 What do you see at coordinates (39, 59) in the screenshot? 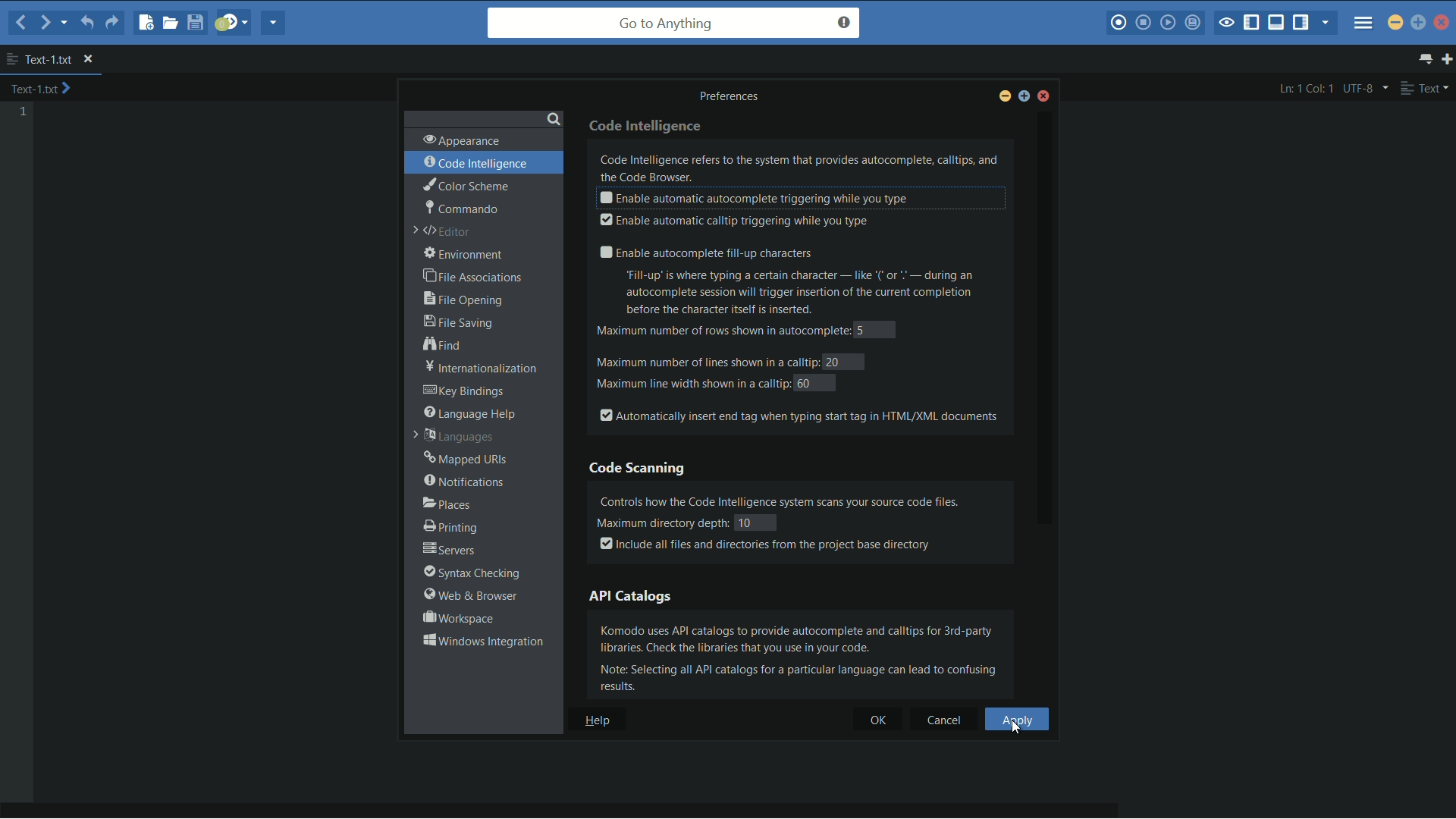
I see `text-1.txt` at bounding box center [39, 59].